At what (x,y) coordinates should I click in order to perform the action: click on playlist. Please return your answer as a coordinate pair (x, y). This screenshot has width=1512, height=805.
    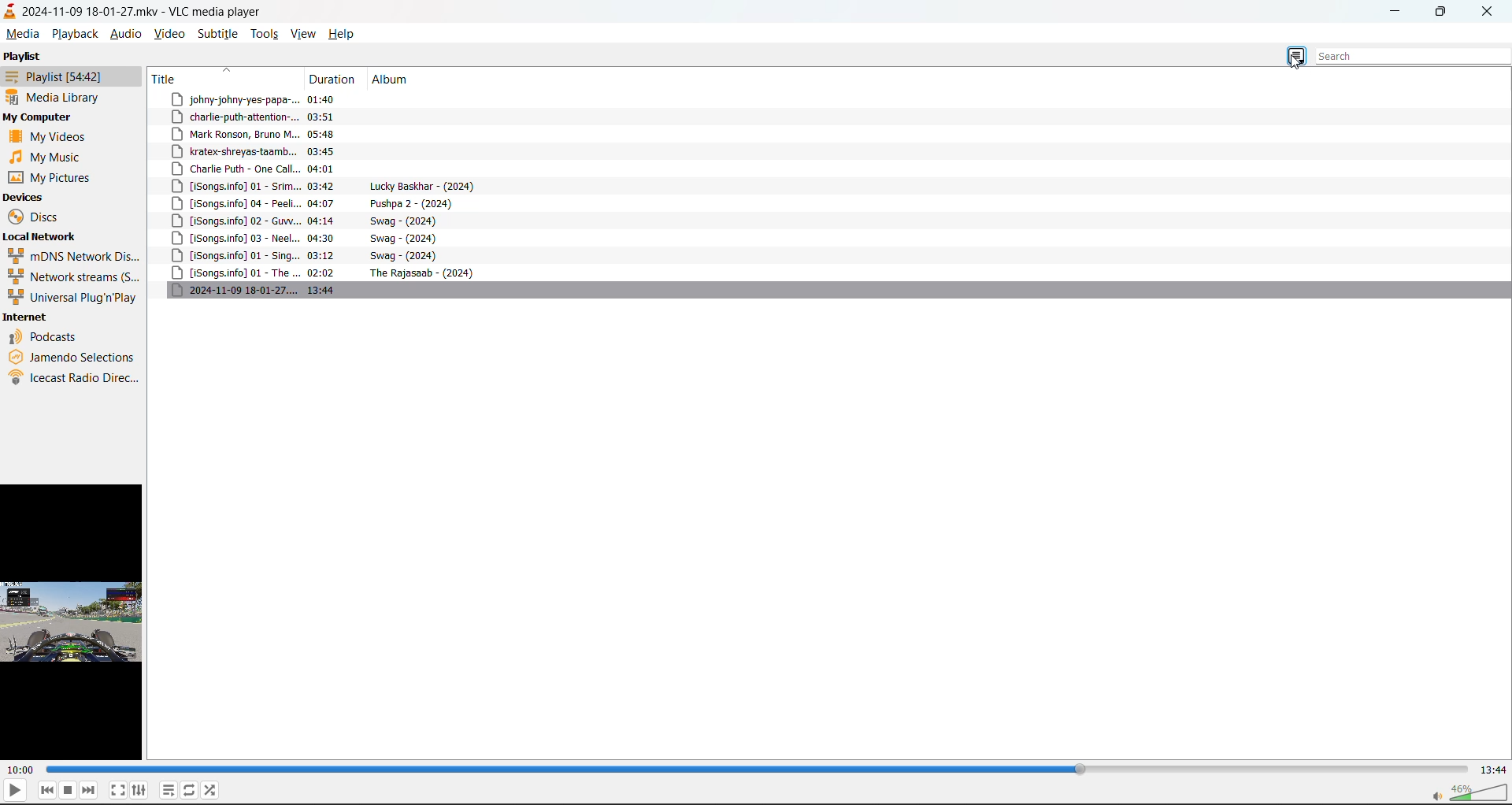
    Looking at the image, I should click on (166, 789).